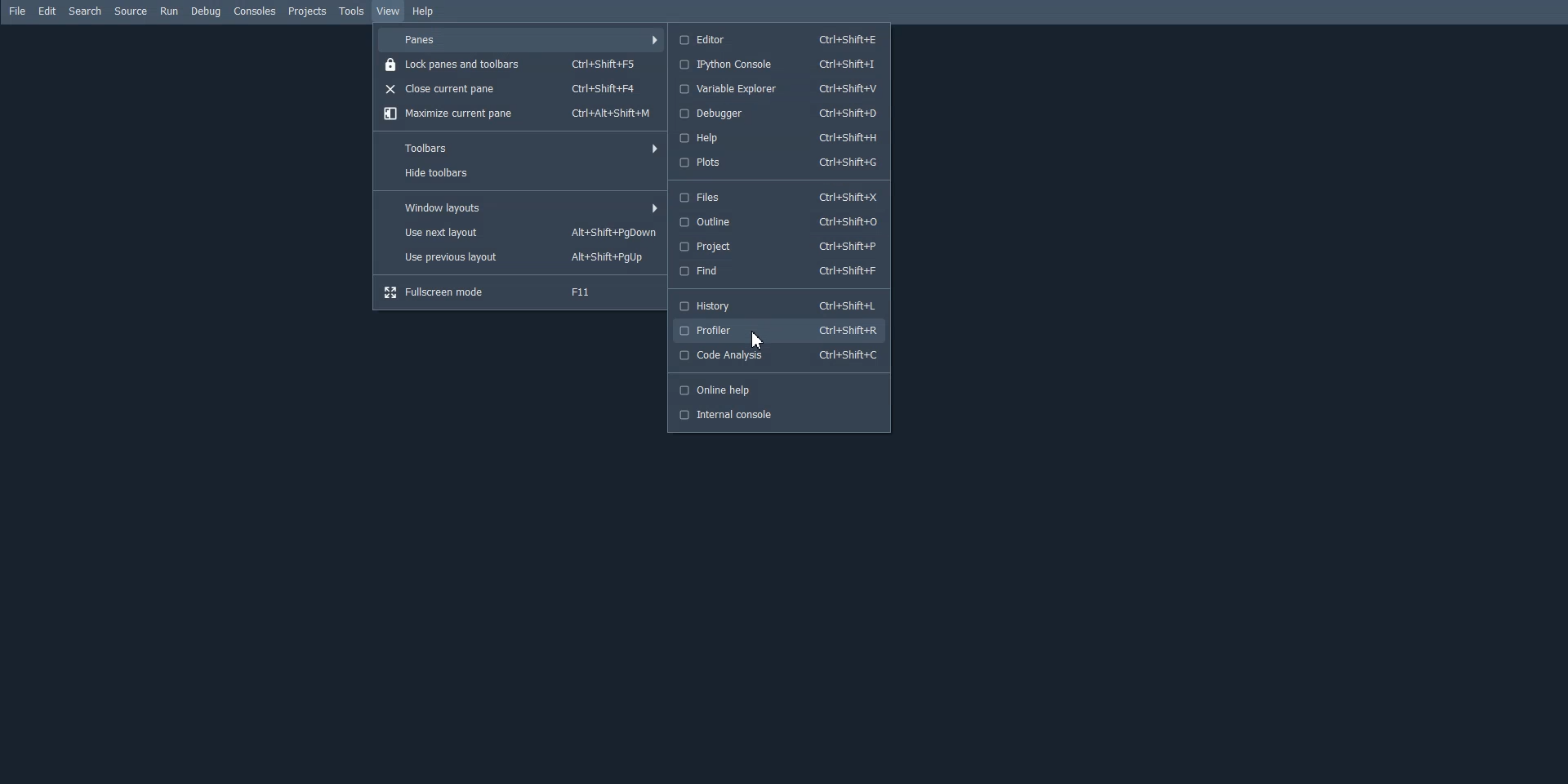 The image size is (1568, 784). Describe the element at coordinates (522, 39) in the screenshot. I see `Panes` at that location.